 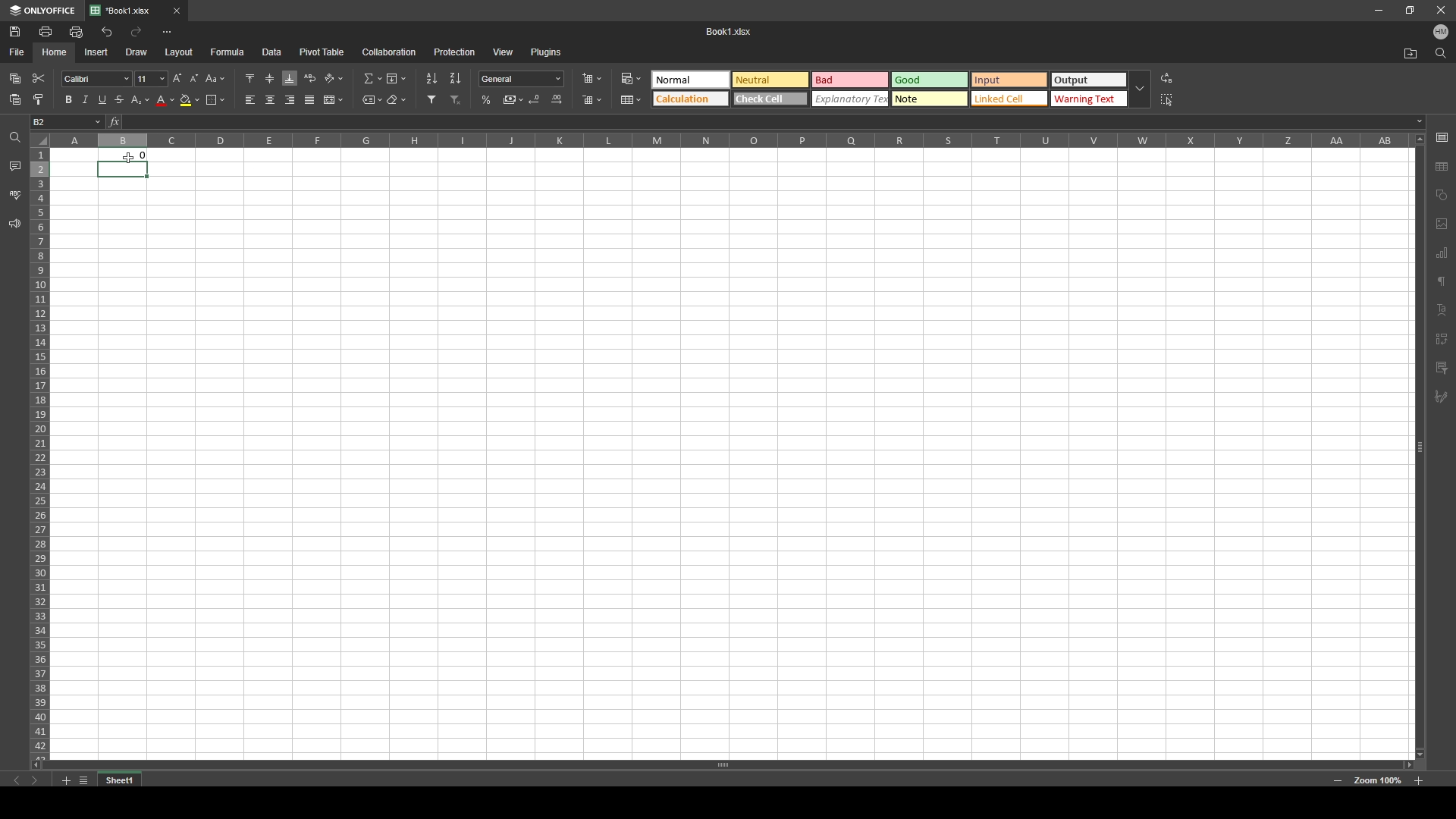 What do you see at coordinates (13, 139) in the screenshot?
I see `search` at bounding box center [13, 139].